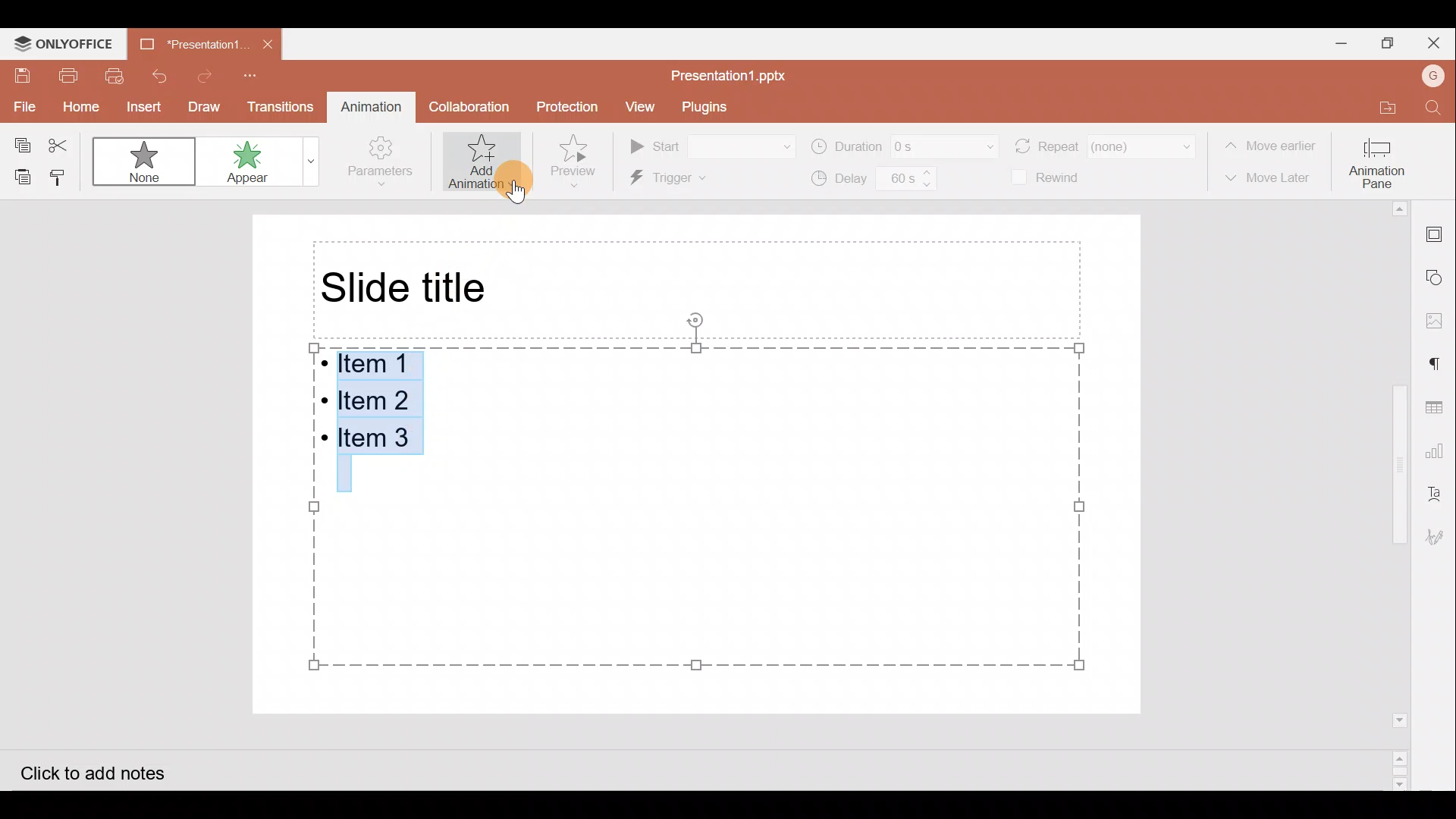  I want to click on Close, so click(1439, 42).